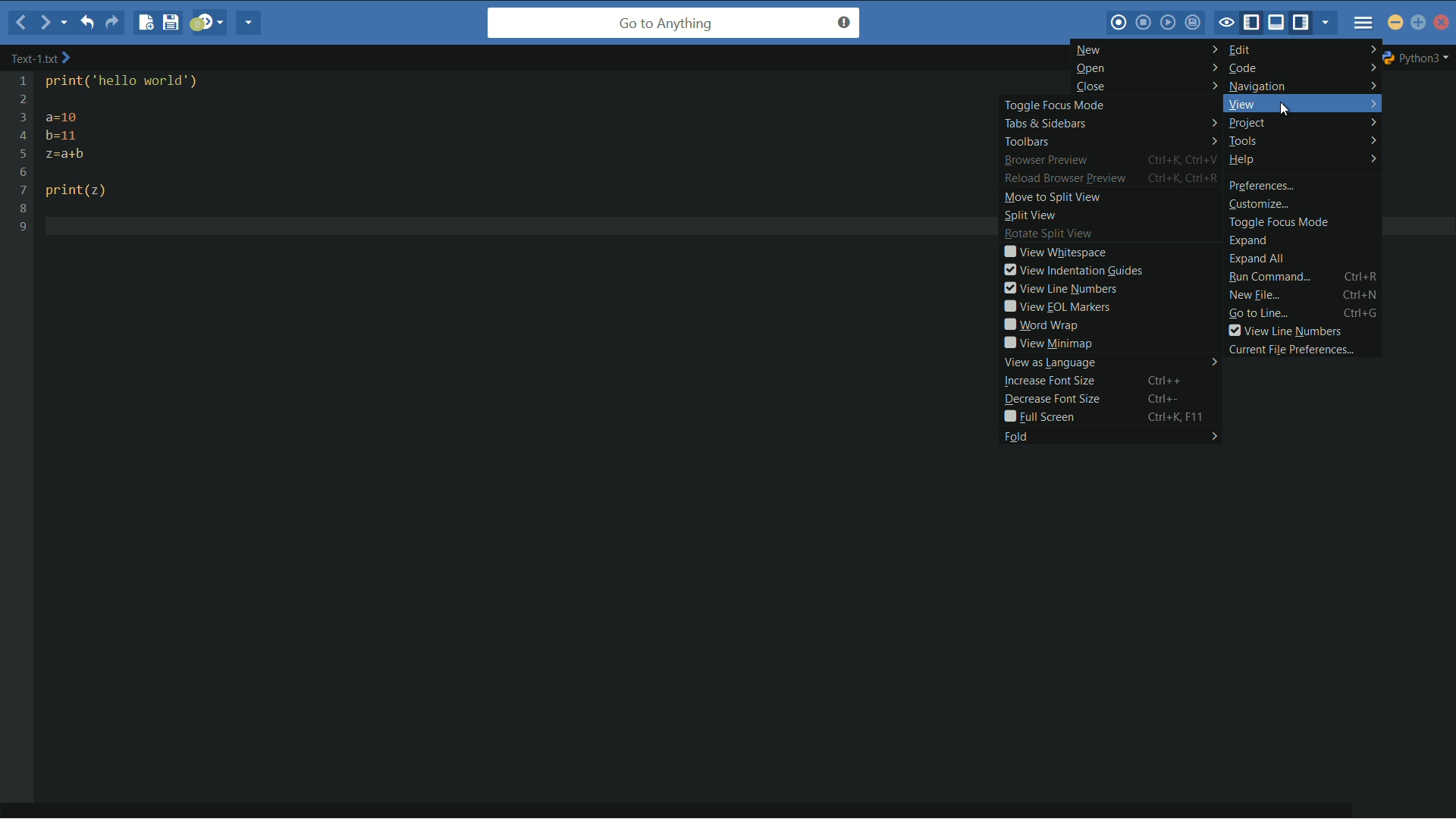 The image size is (1456, 819). Describe the element at coordinates (1040, 325) in the screenshot. I see `word wrap` at that location.